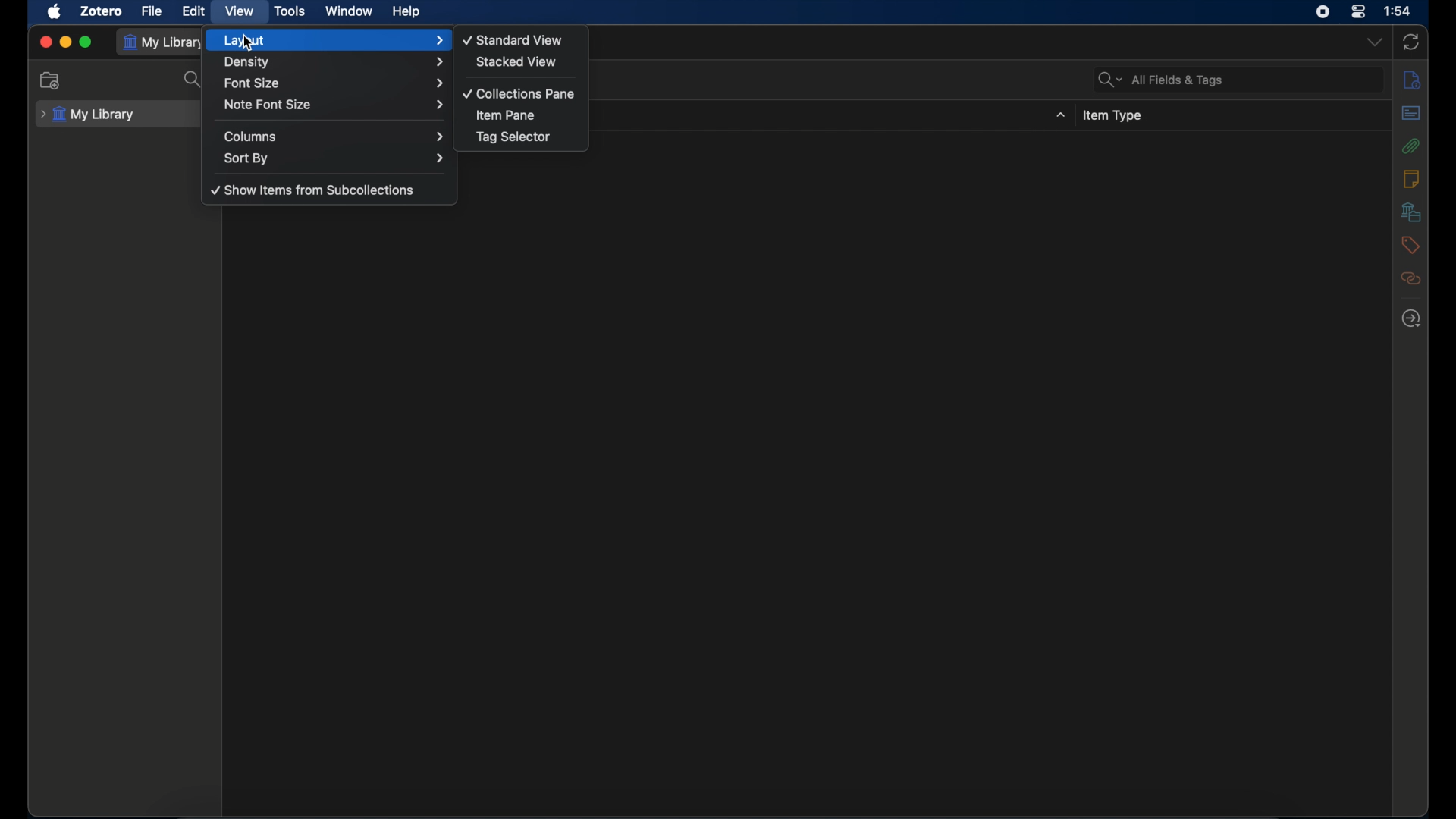 The image size is (1456, 819). I want to click on dropdown, so click(1374, 42).